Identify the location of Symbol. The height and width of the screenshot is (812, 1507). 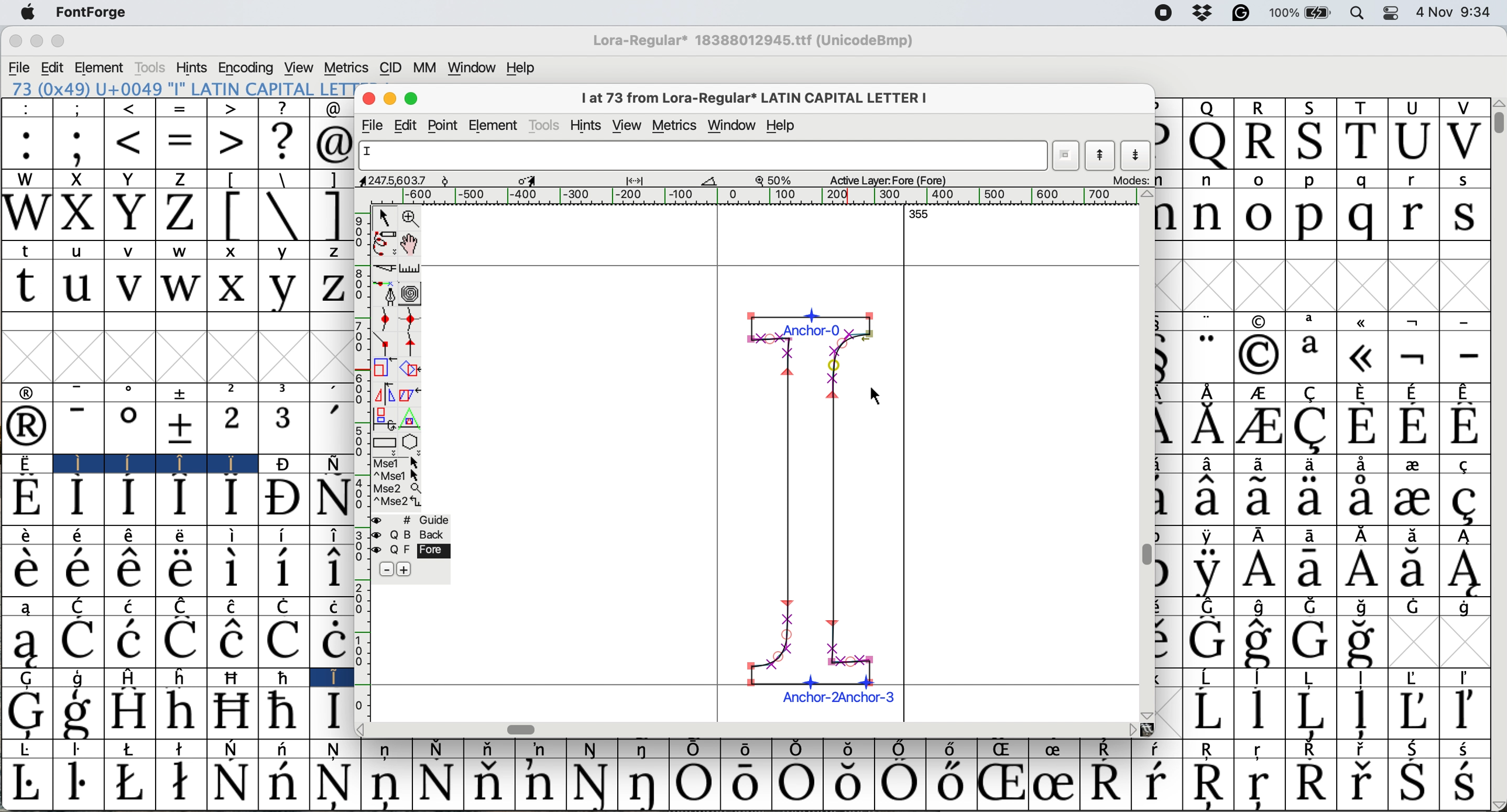
(592, 750).